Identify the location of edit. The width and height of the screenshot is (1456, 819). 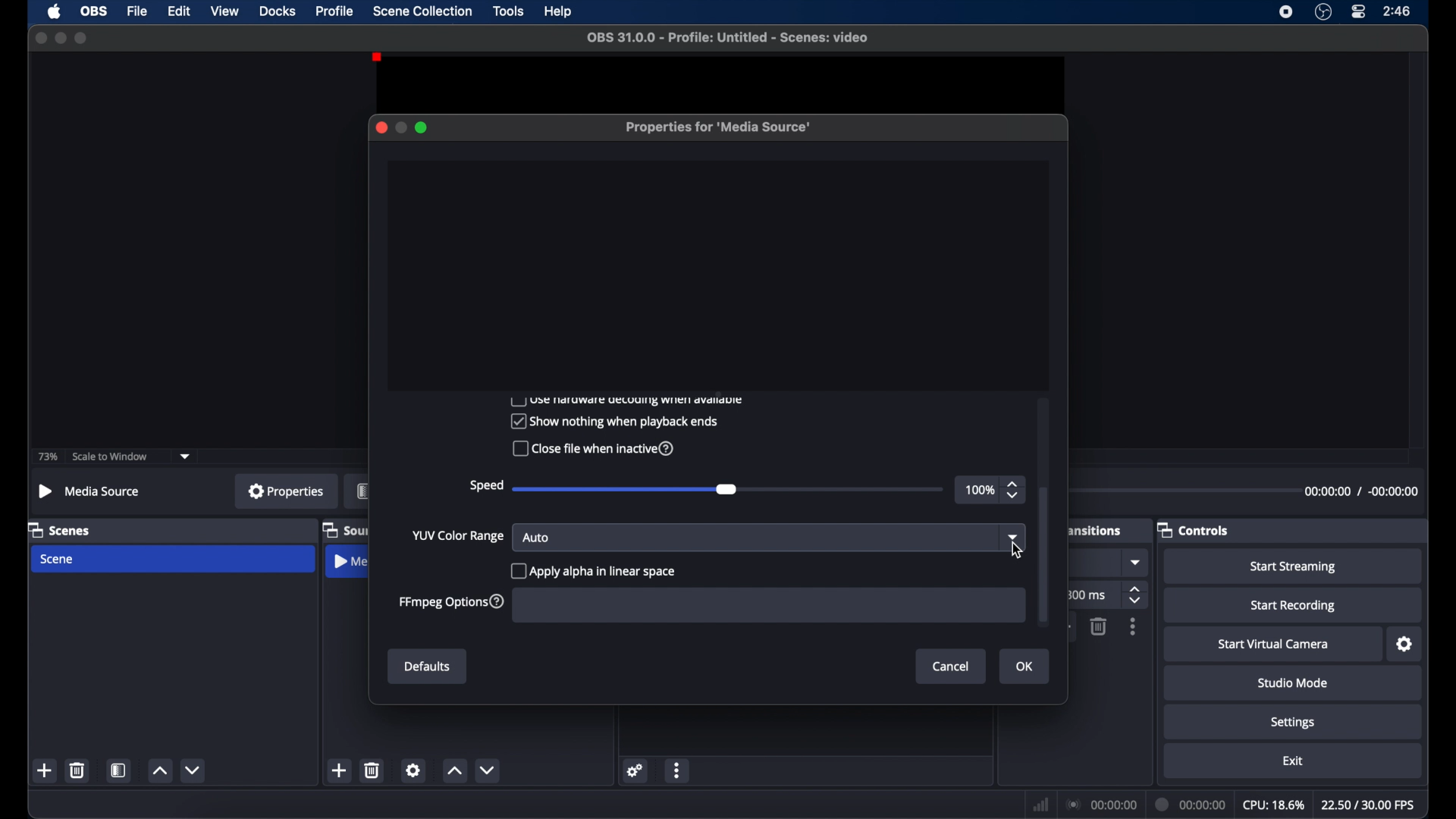
(179, 11).